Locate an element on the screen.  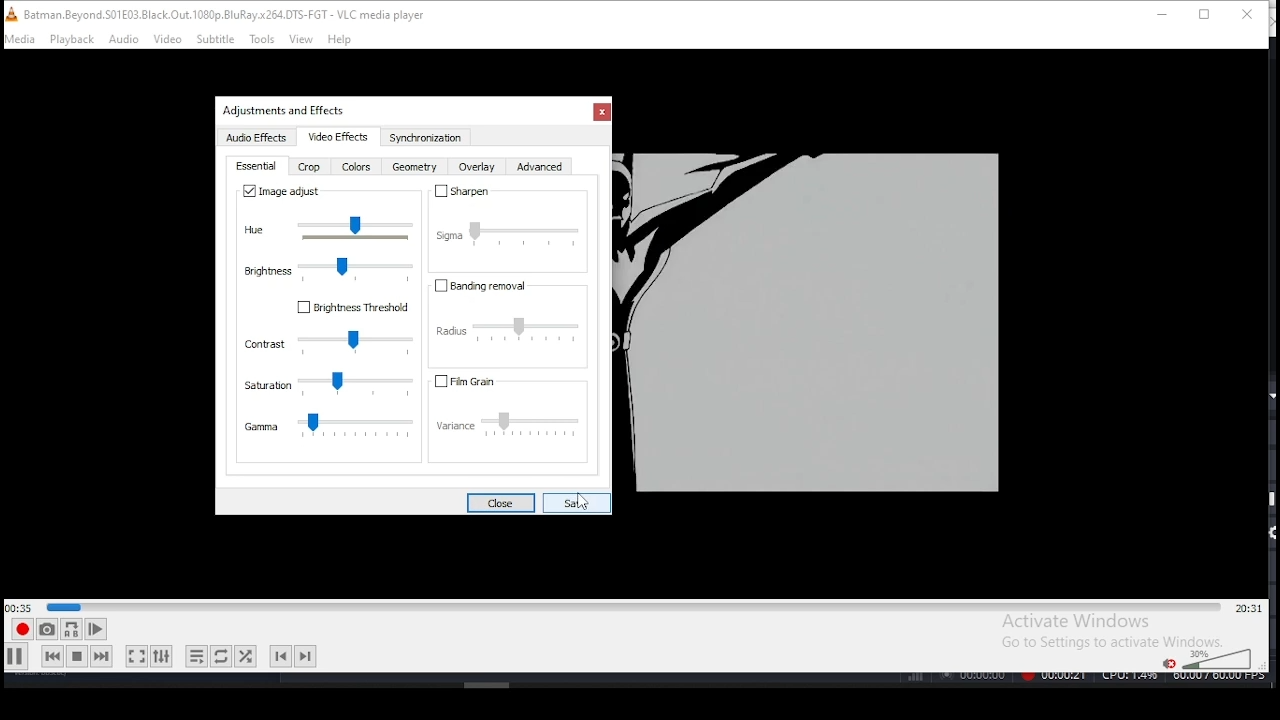
next media in track, skips forward when held is located at coordinates (102, 657).